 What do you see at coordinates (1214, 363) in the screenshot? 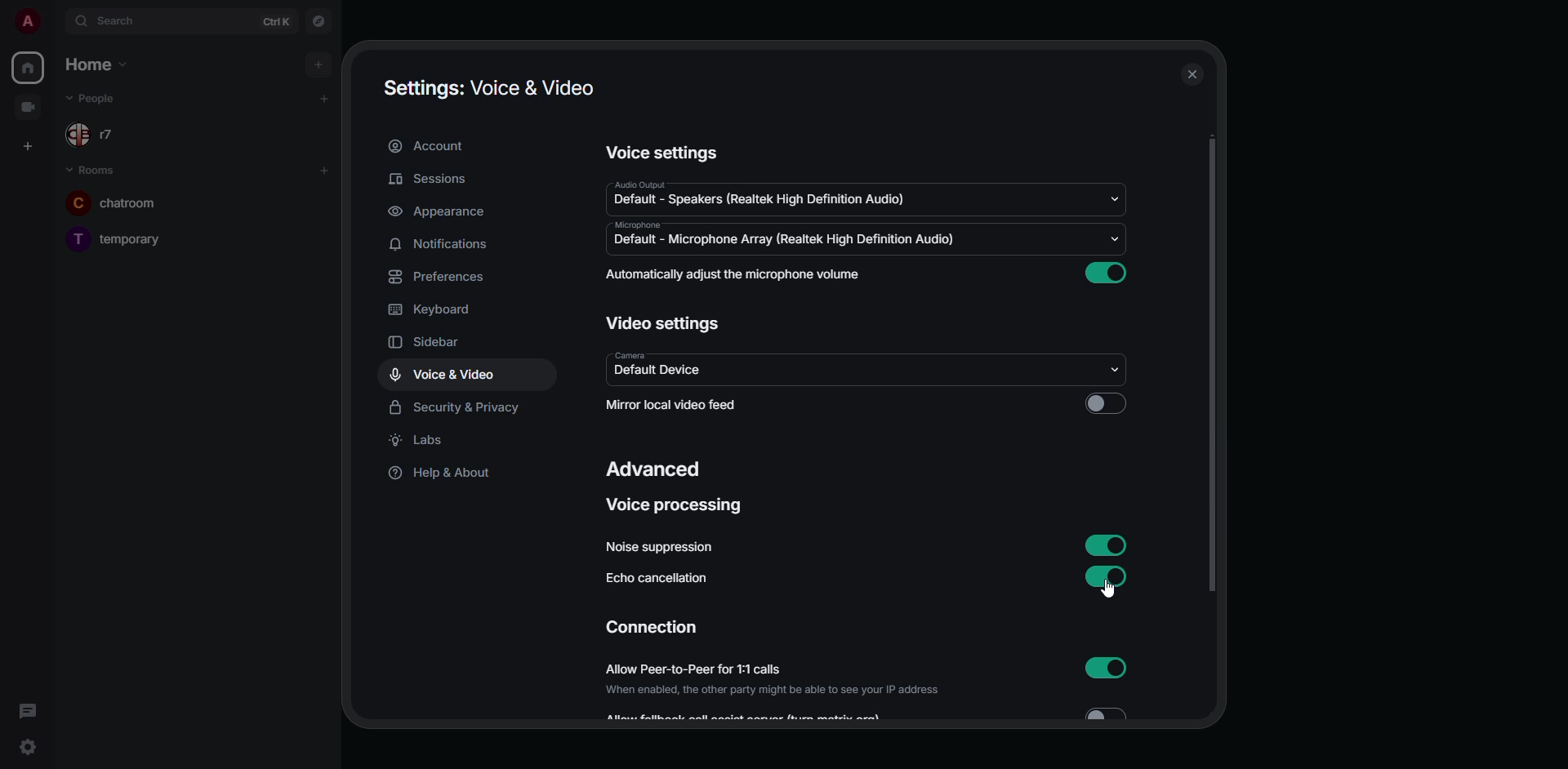
I see `scroll bar` at bounding box center [1214, 363].